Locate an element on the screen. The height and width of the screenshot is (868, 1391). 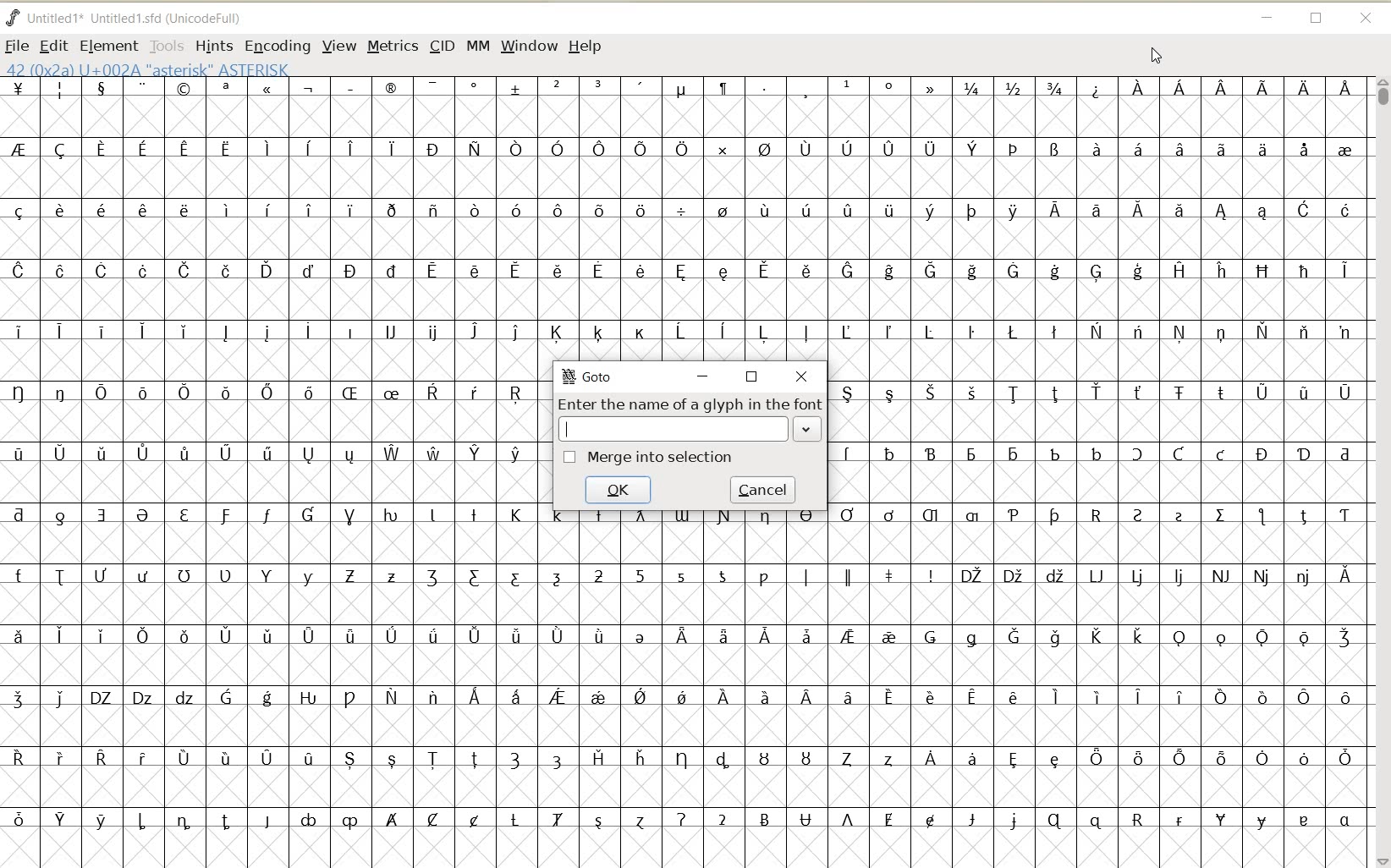
cancel is located at coordinates (762, 489).